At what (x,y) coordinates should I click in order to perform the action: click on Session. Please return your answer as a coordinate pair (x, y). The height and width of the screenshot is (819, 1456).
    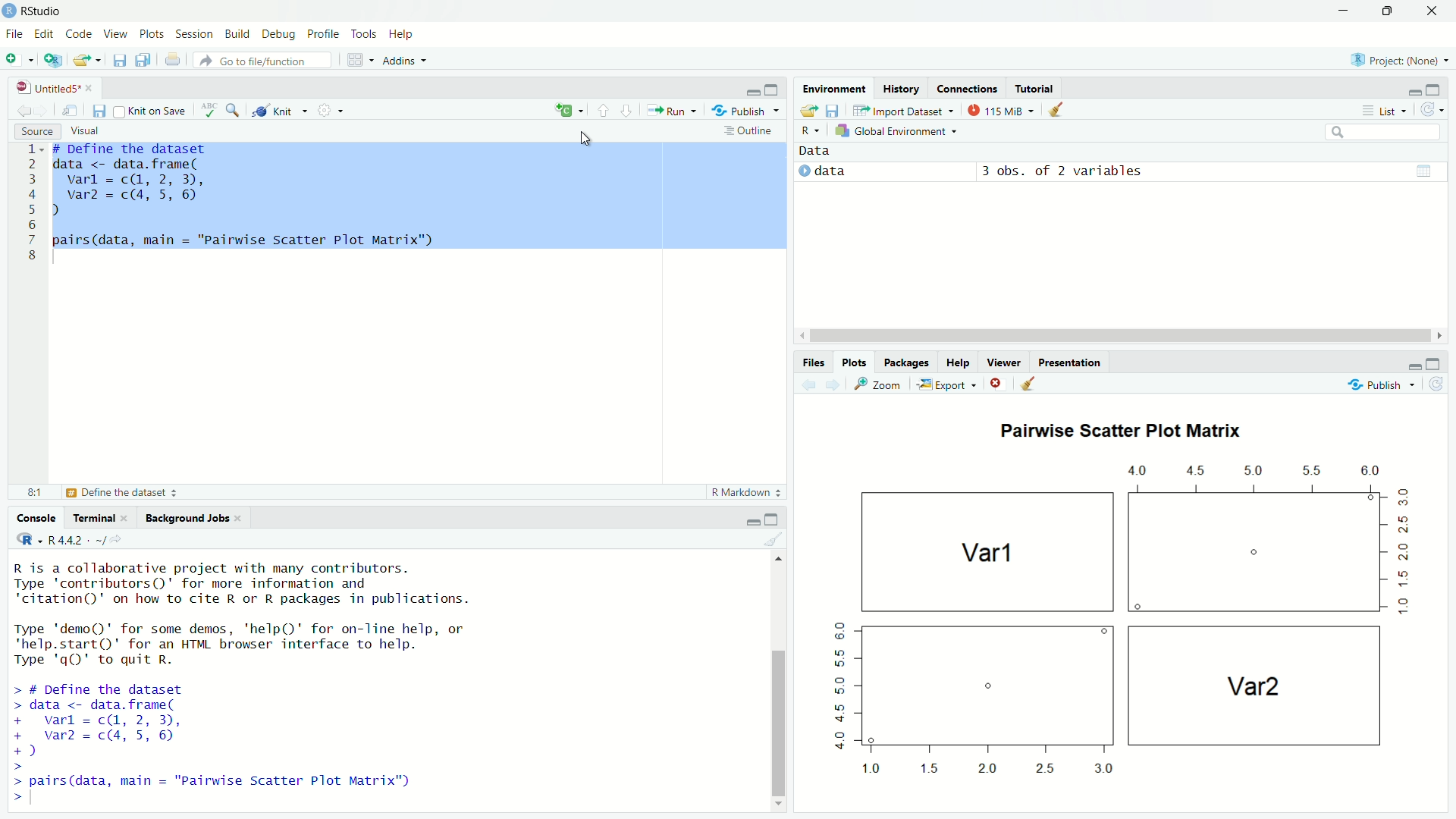
    Looking at the image, I should click on (194, 33).